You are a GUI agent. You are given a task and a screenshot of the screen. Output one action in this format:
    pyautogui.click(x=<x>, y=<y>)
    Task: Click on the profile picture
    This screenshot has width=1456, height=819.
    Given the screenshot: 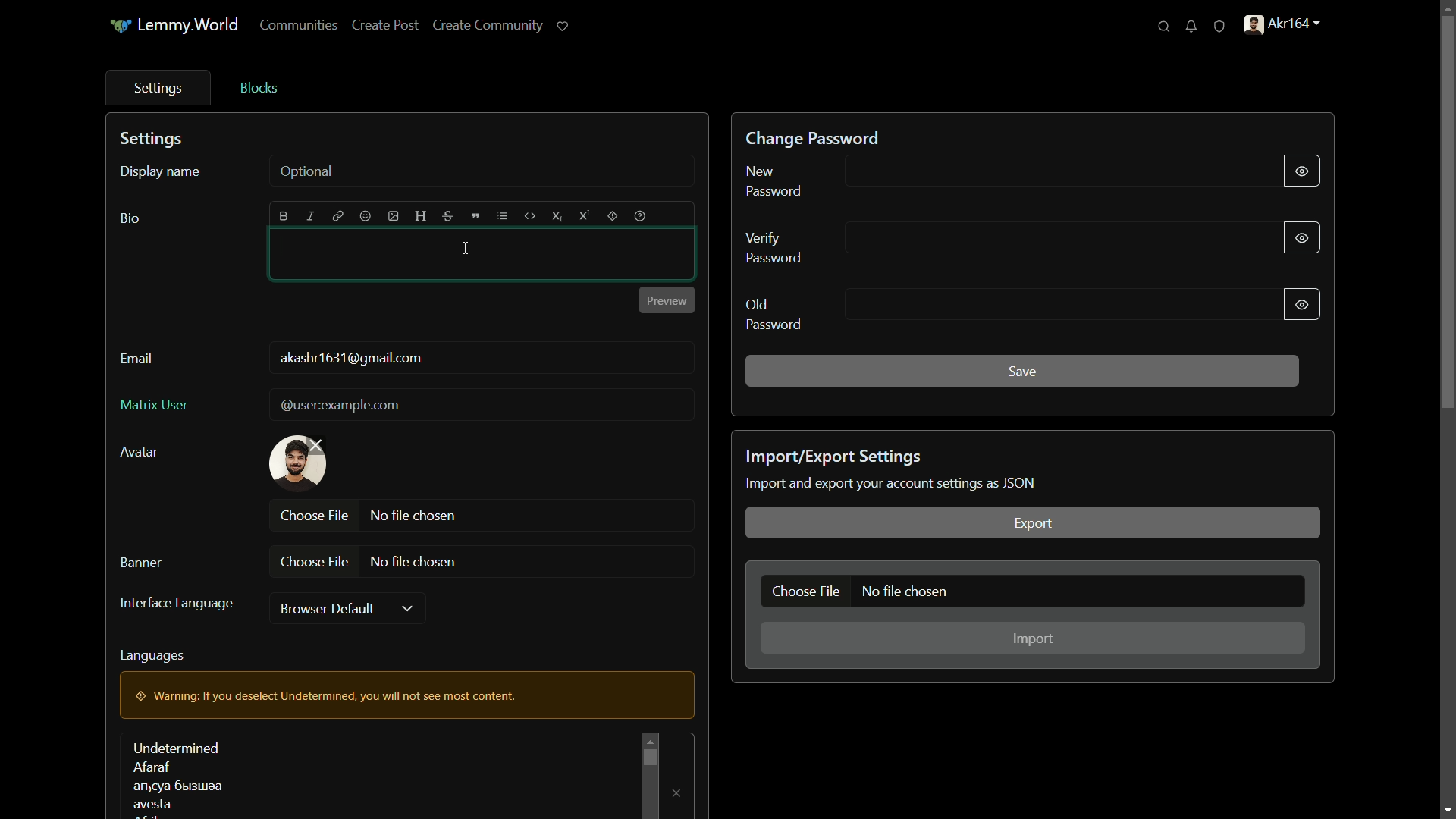 What is the action you would take?
    pyautogui.click(x=300, y=463)
    